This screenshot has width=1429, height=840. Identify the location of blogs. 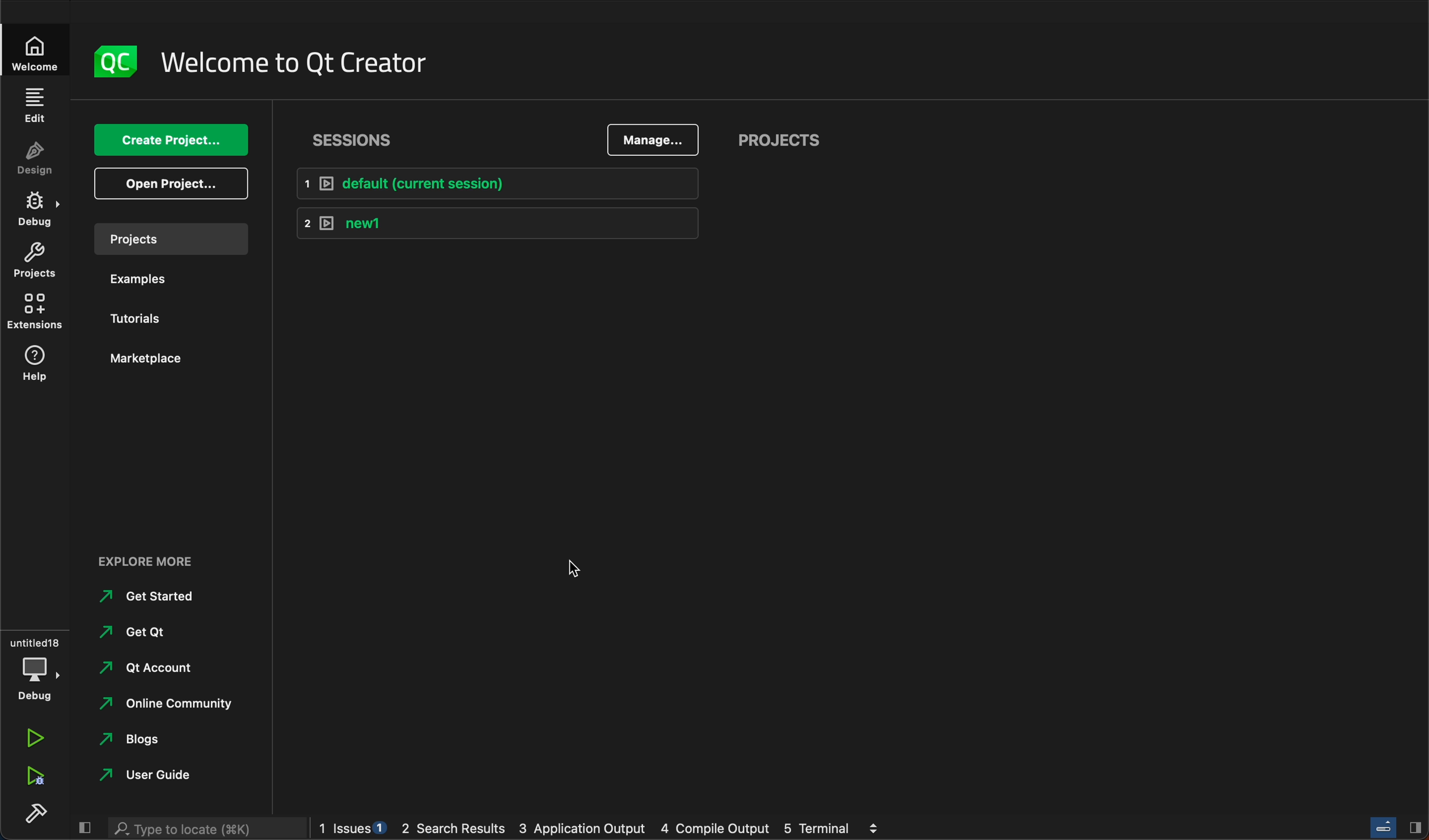
(158, 741).